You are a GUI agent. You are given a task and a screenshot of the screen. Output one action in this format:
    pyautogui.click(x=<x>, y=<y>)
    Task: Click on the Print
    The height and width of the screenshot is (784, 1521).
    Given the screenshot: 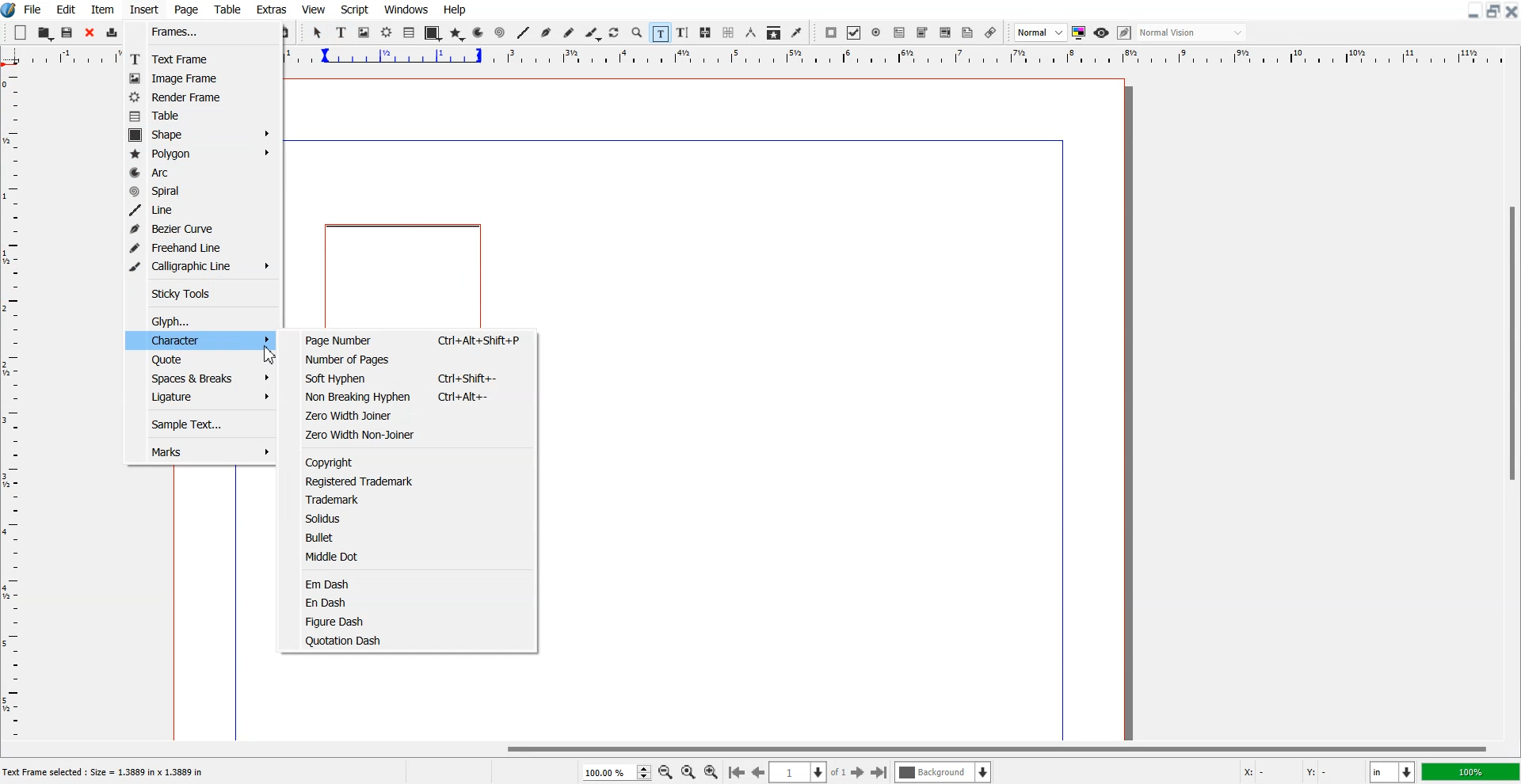 What is the action you would take?
    pyautogui.click(x=112, y=34)
    